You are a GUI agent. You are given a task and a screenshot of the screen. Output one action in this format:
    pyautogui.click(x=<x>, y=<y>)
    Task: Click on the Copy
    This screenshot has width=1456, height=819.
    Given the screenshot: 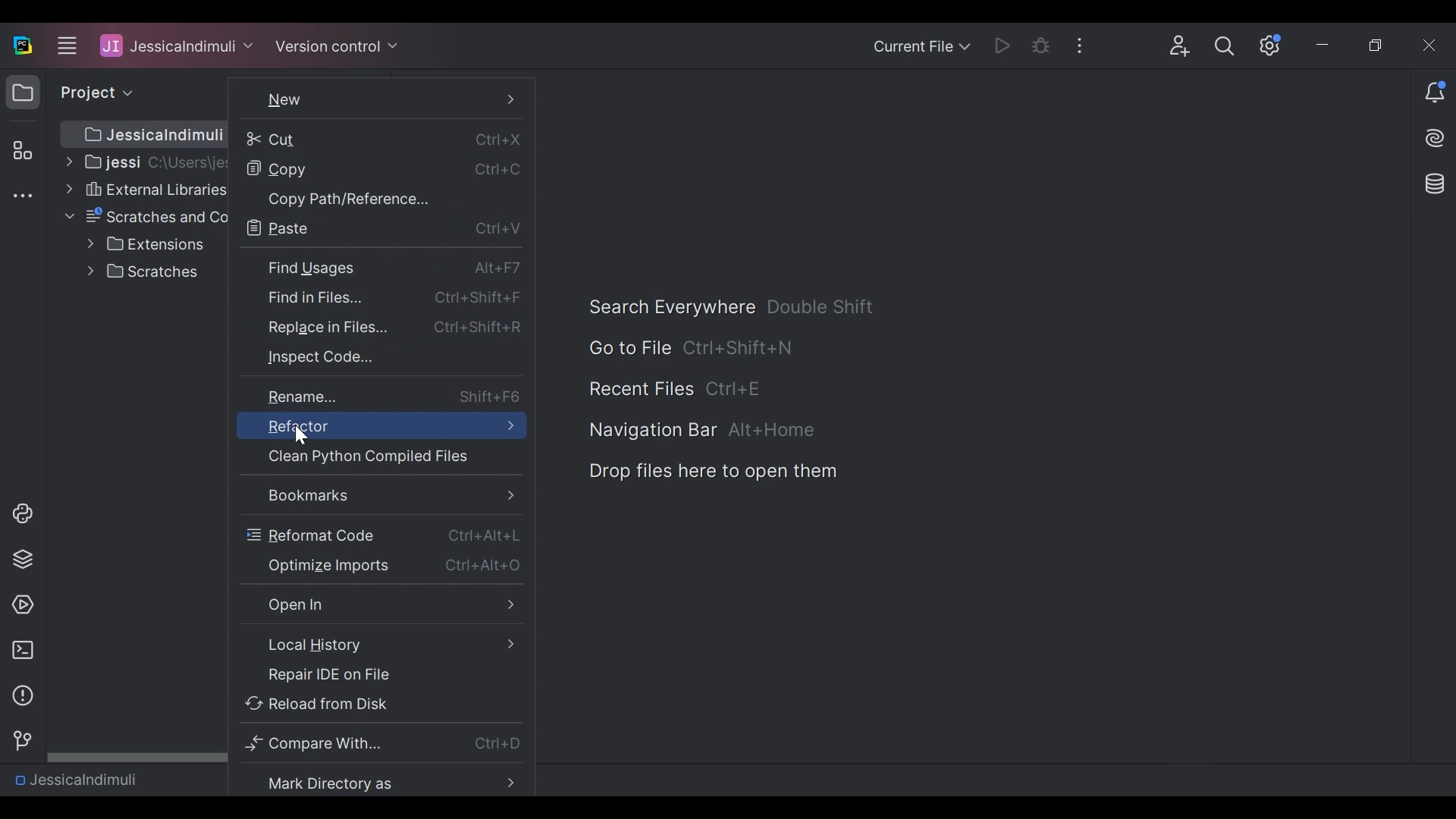 What is the action you would take?
    pyautogui.click(x=378, y=171)
    